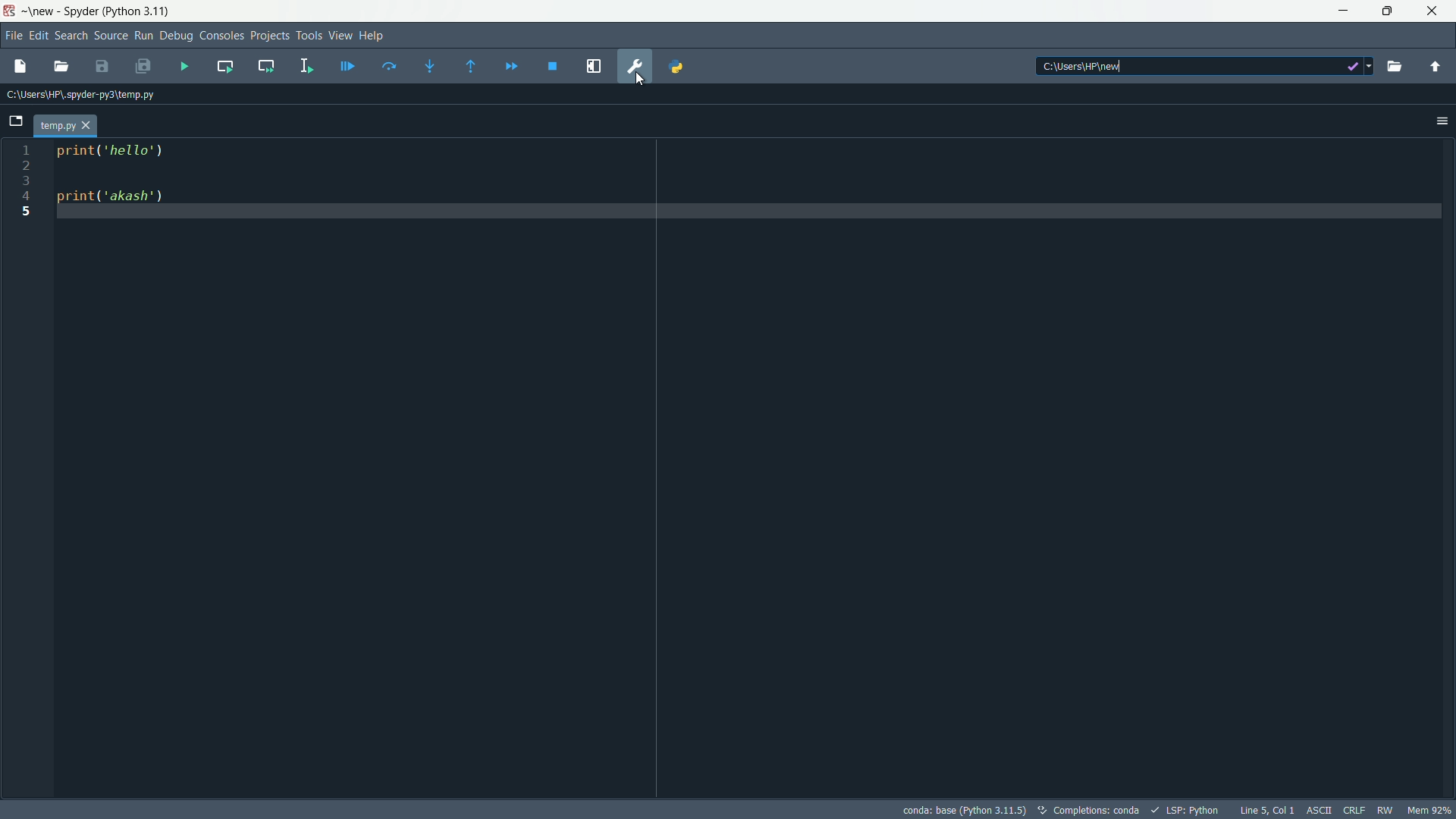  Describe the element at coordinates (111, 36) in the screenshot. I see `source menu` at that location.